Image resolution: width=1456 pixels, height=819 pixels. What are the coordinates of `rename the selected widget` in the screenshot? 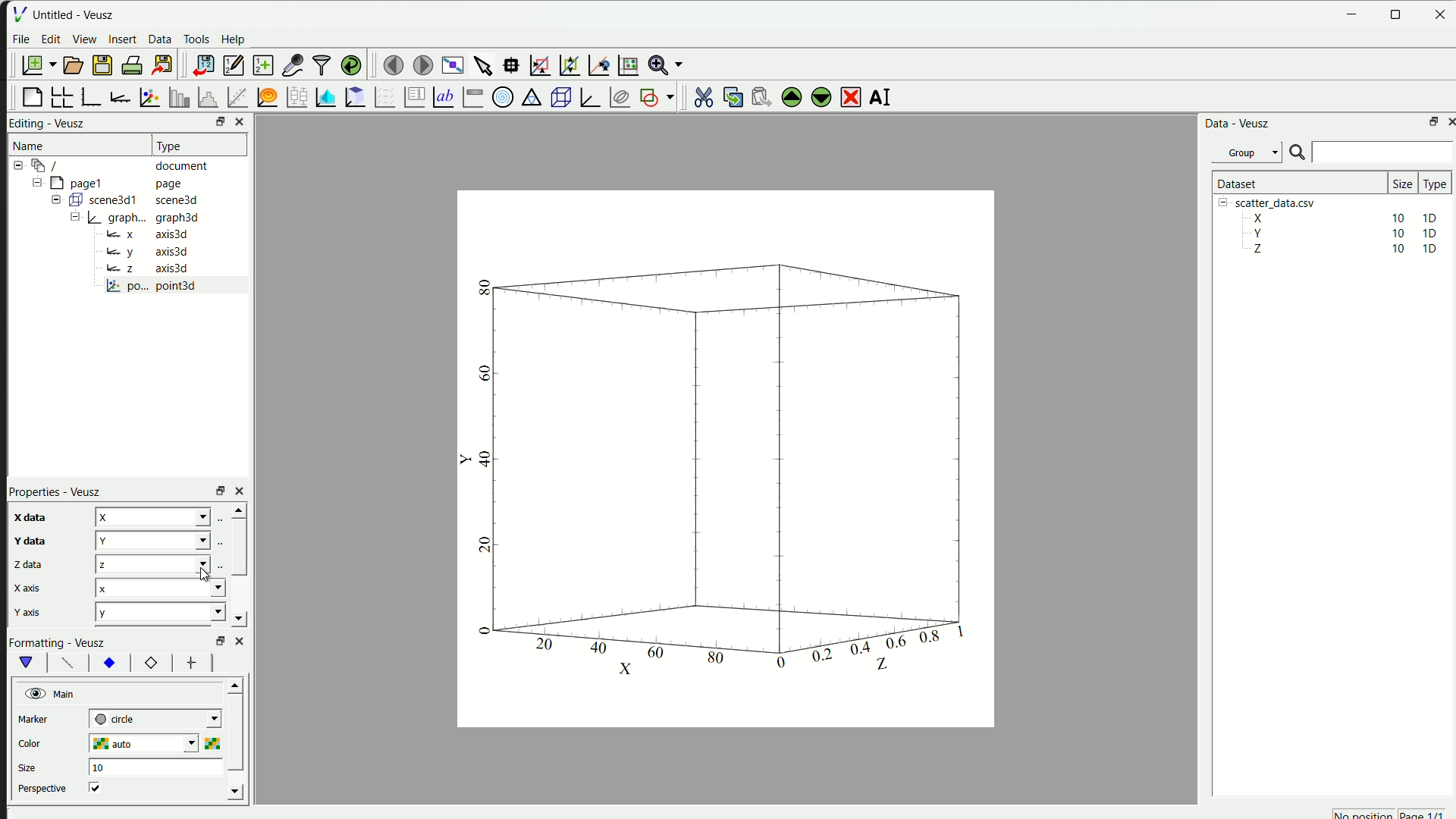 It's located at (880, 96).